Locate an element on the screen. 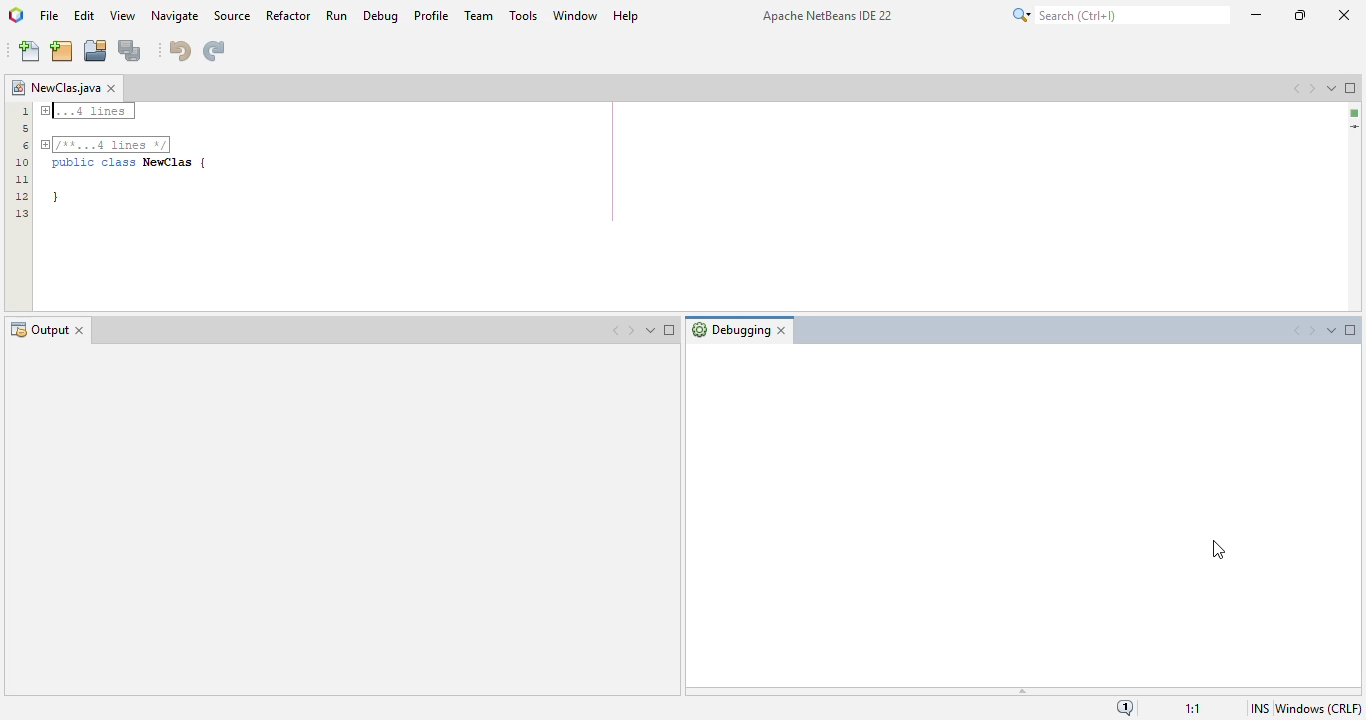 This screenshot has height=720, width=1366. redo is located at coordinates (213, 50).